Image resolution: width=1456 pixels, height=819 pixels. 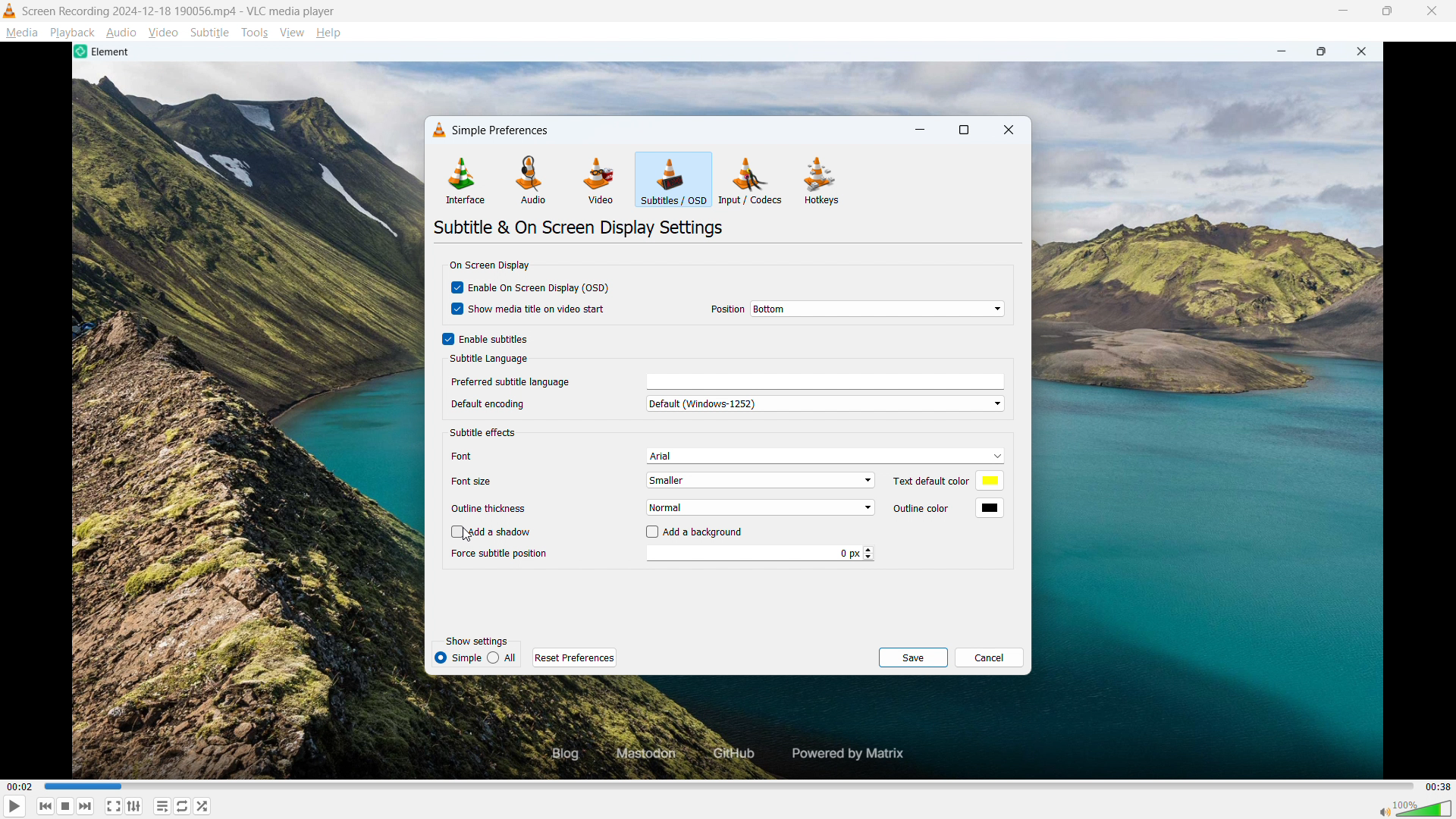 I want to click on Reset preferences , so click(x=574, y=656).